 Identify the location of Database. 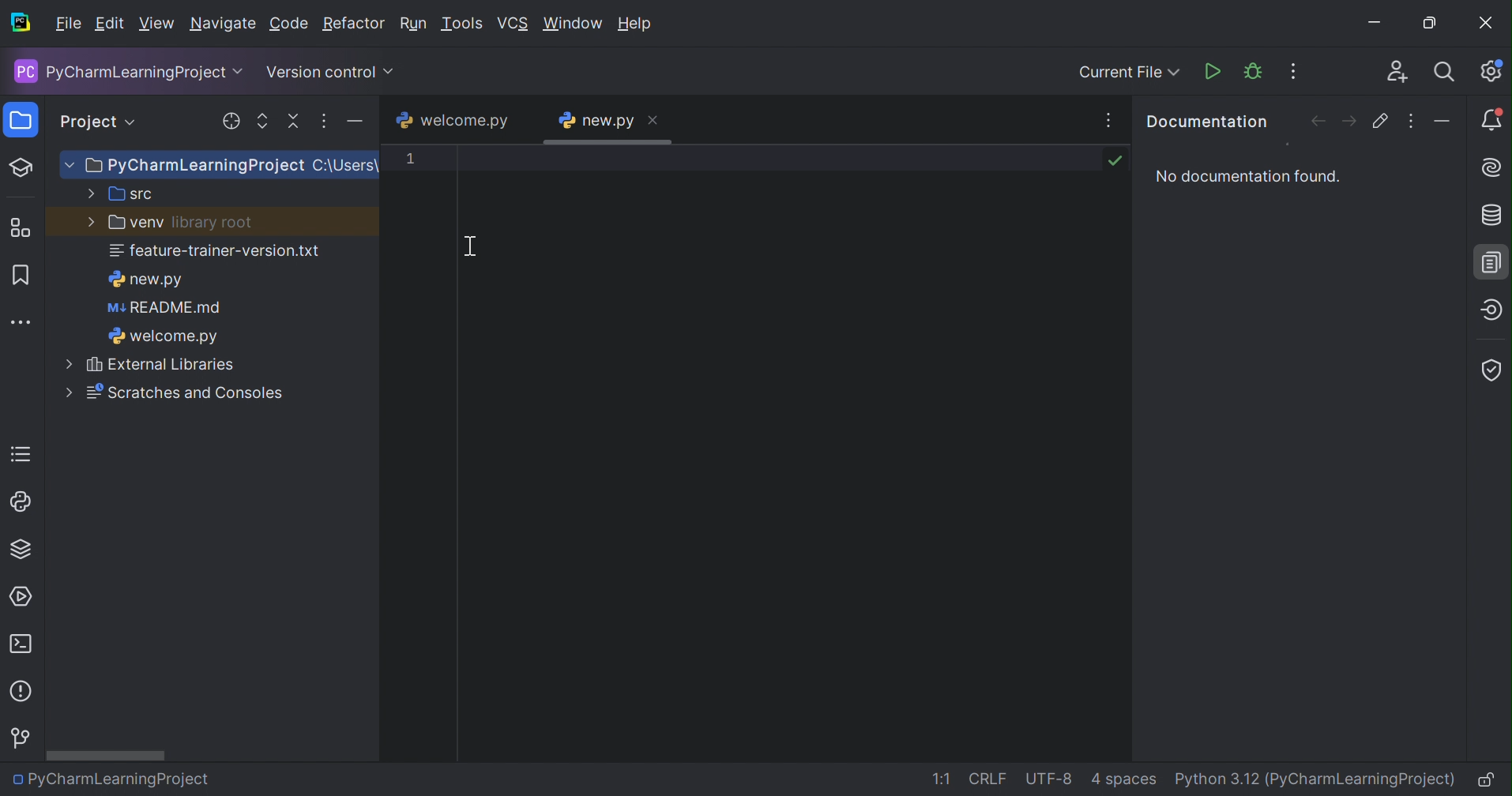
(1493, 216).